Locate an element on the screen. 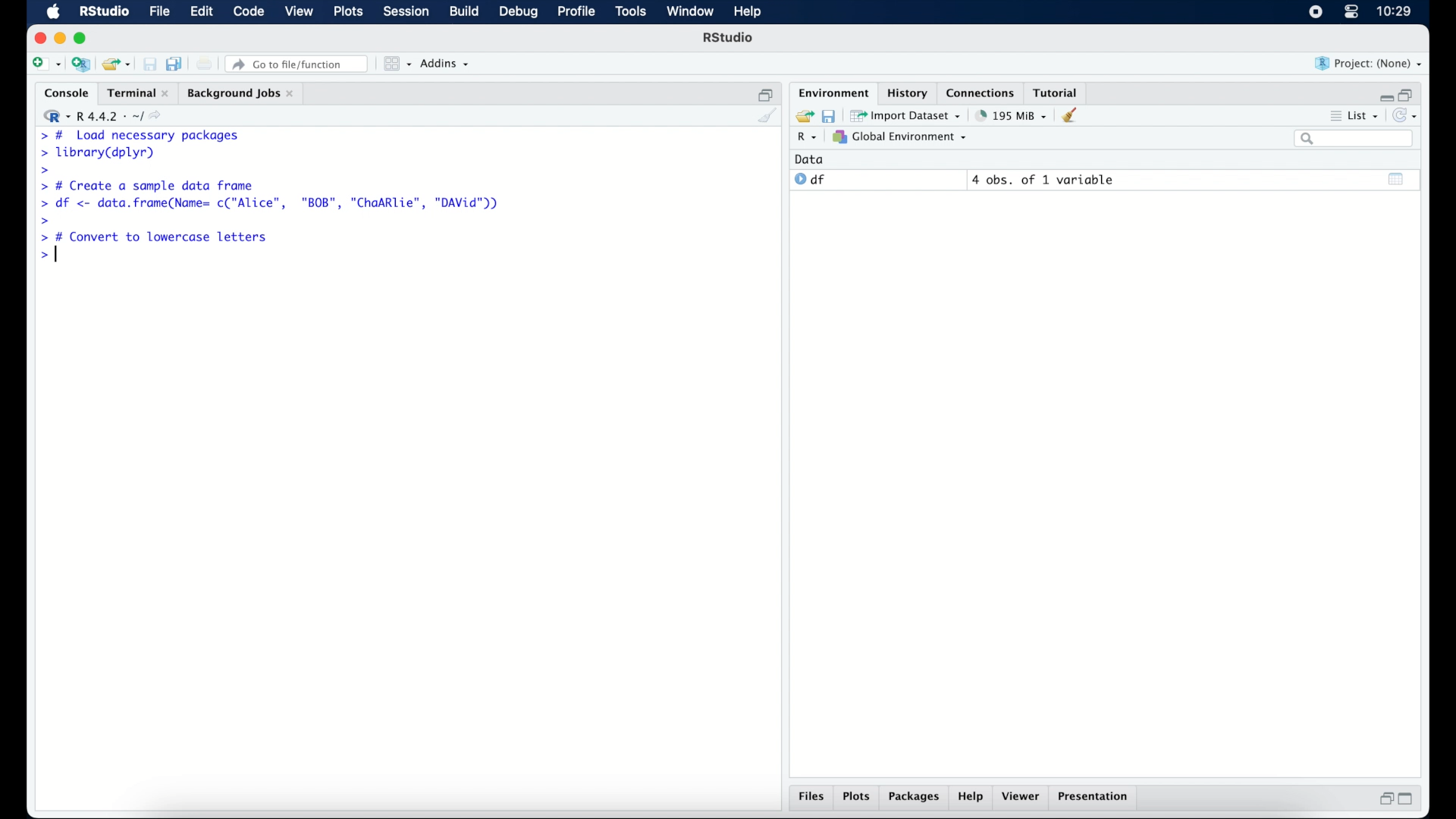 The width and height of the screenshot is (1456, 819). date is located at coordinates (810, 158).